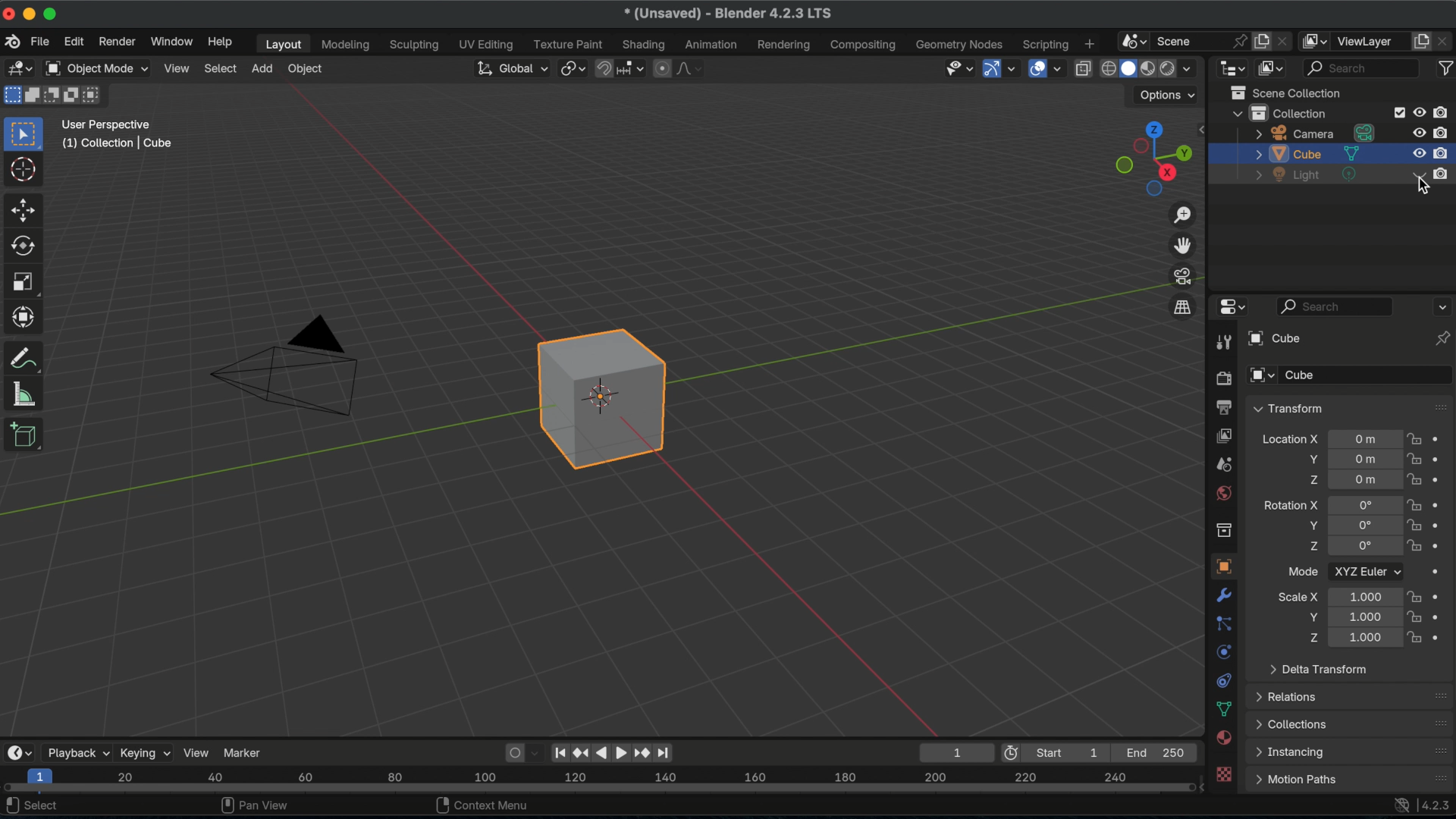 The image size is (1456, 819). Describe the element at coordinates (1438, 695) in the screenshot. I see `drag handle` at that location.